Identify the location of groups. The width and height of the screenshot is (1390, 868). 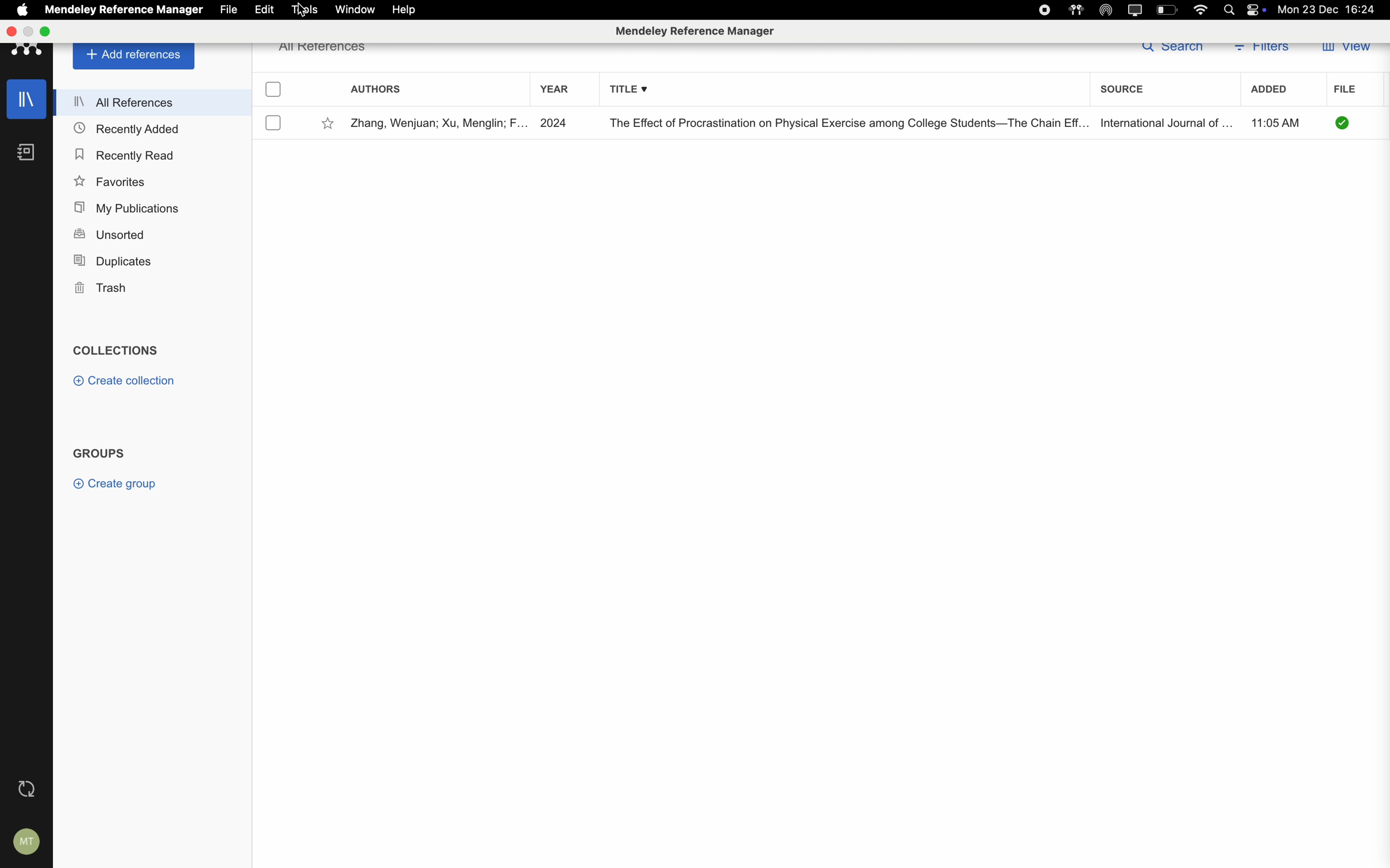
(100, 451).